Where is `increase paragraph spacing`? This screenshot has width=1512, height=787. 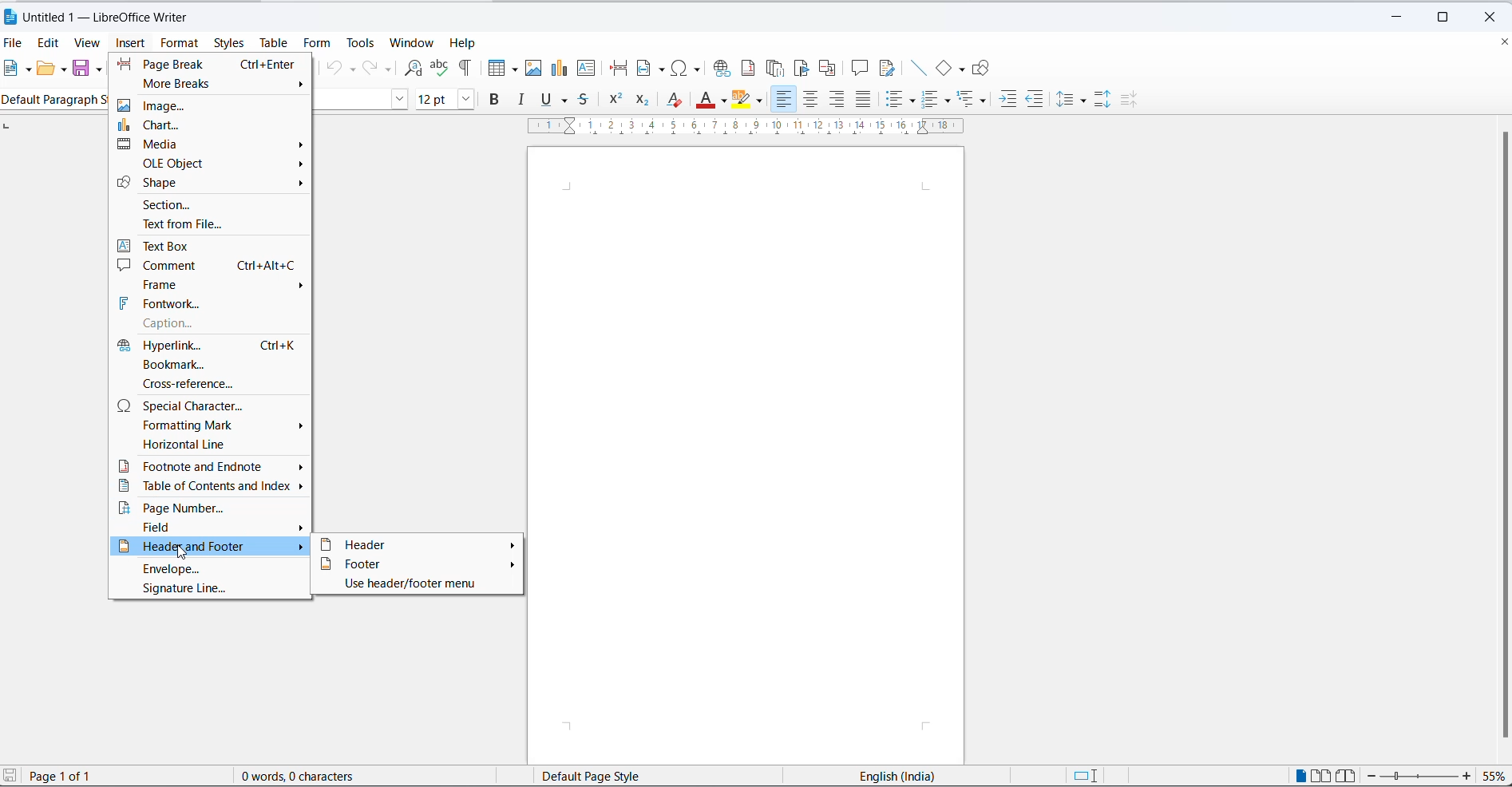
increase paragraph spacing is located at coordinates (1104, 101).